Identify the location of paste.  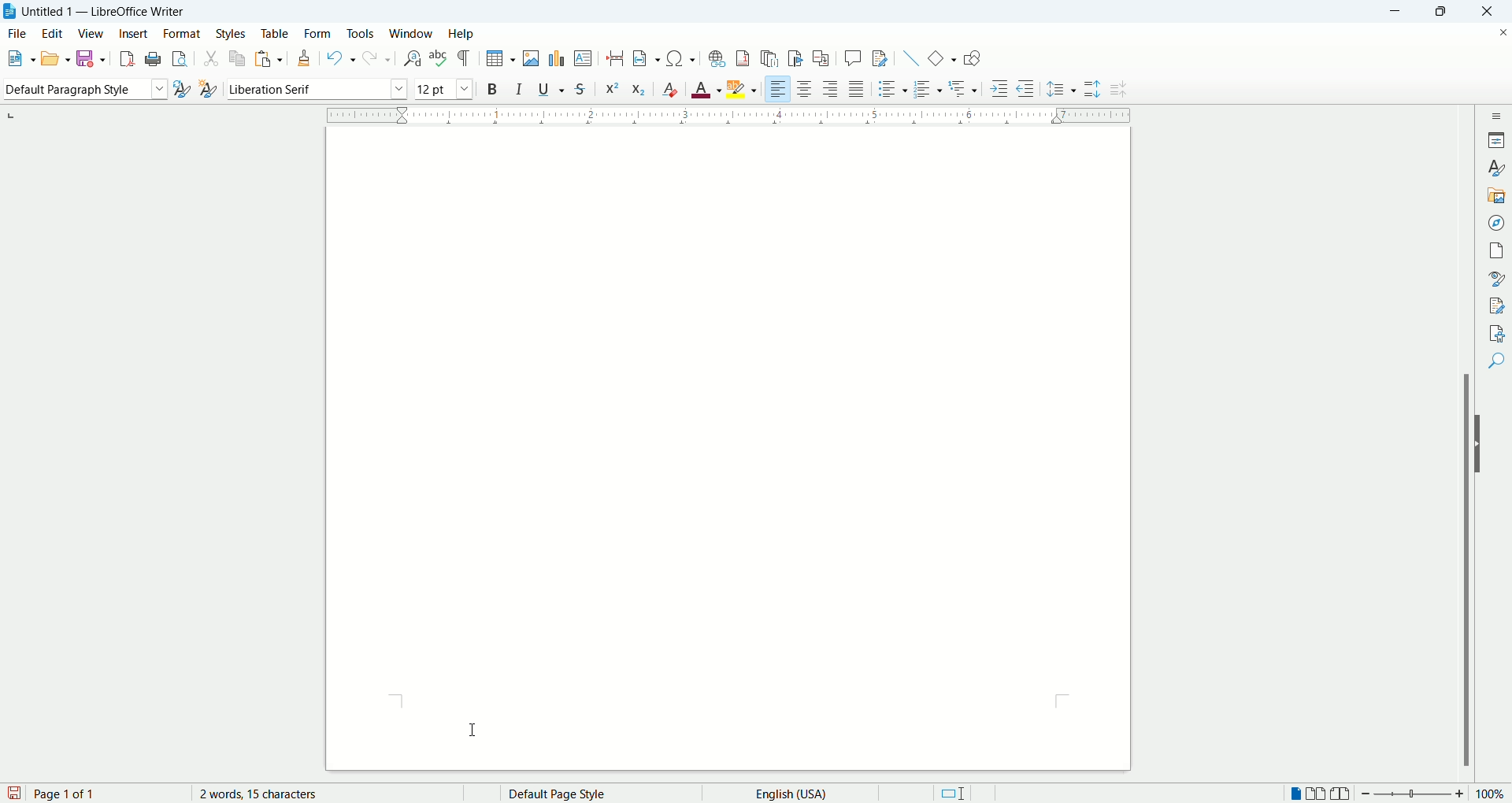
(270, 56).